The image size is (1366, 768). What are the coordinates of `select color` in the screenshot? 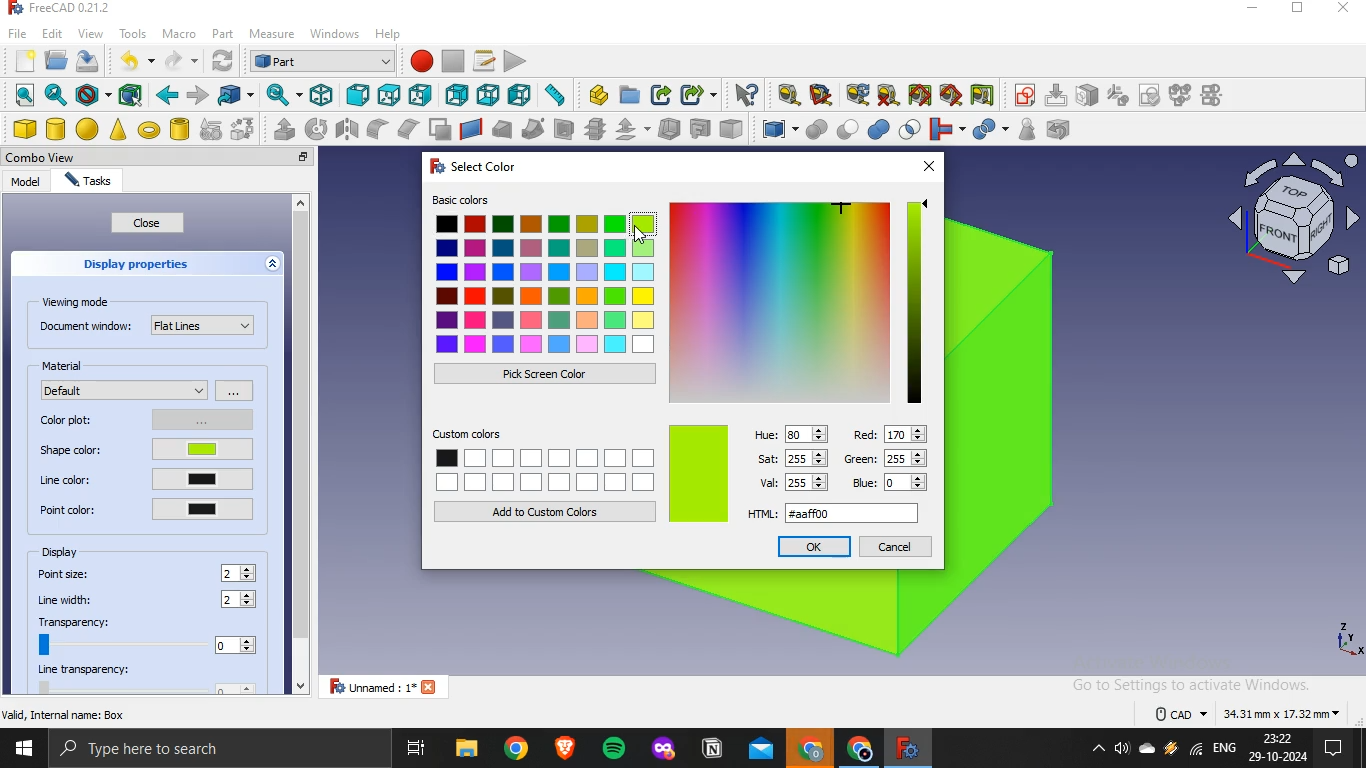 It's located at (468, 164).